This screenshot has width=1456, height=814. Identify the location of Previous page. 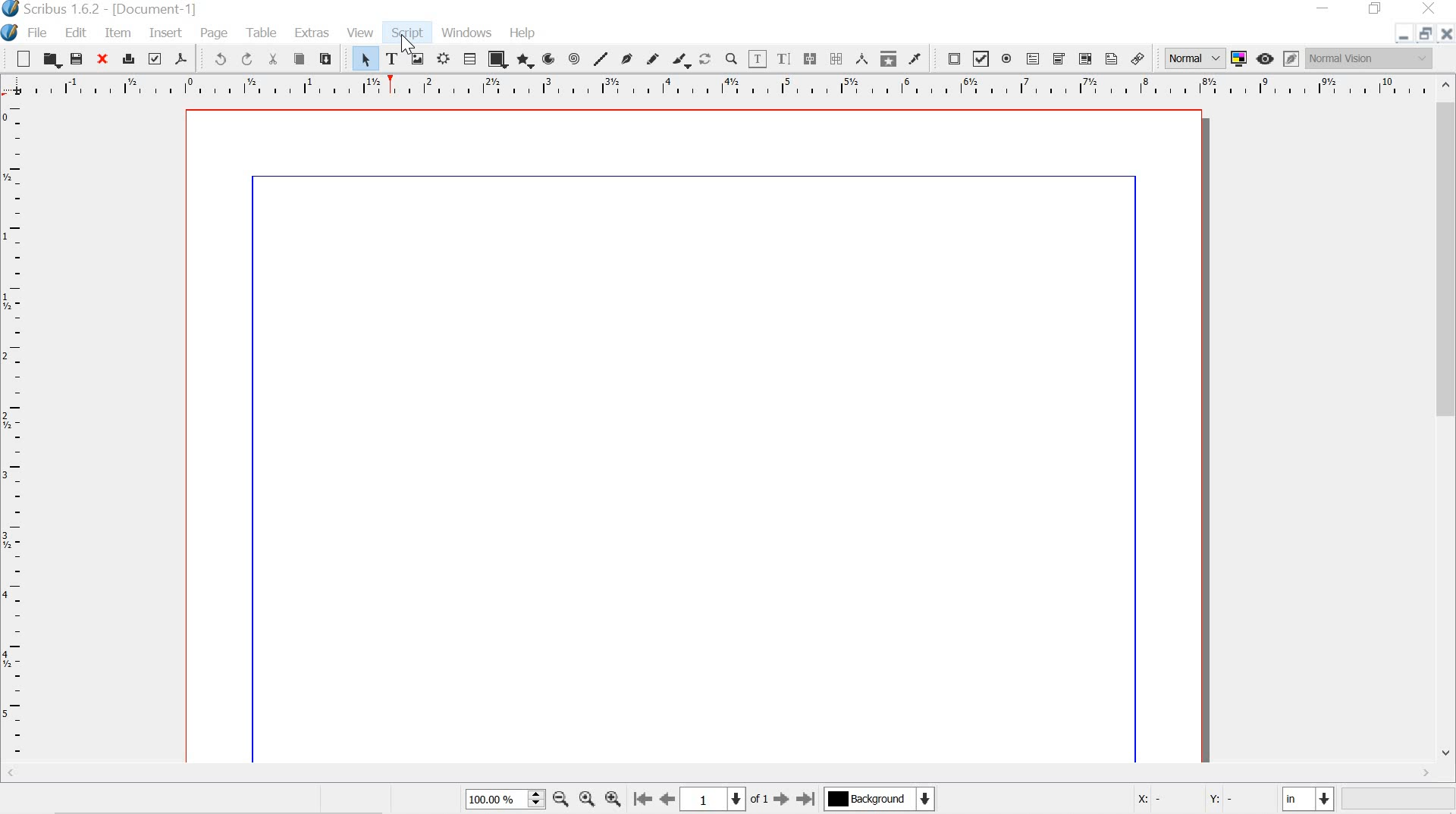
(667, 797).